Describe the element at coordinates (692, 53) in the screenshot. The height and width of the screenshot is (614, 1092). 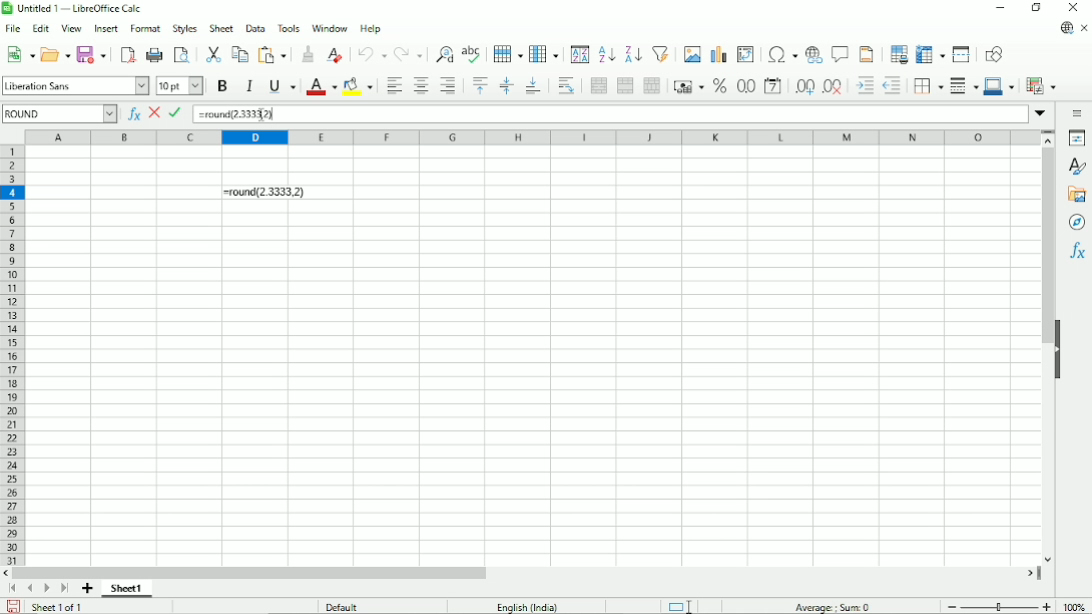
I see `Insert image` at that location.